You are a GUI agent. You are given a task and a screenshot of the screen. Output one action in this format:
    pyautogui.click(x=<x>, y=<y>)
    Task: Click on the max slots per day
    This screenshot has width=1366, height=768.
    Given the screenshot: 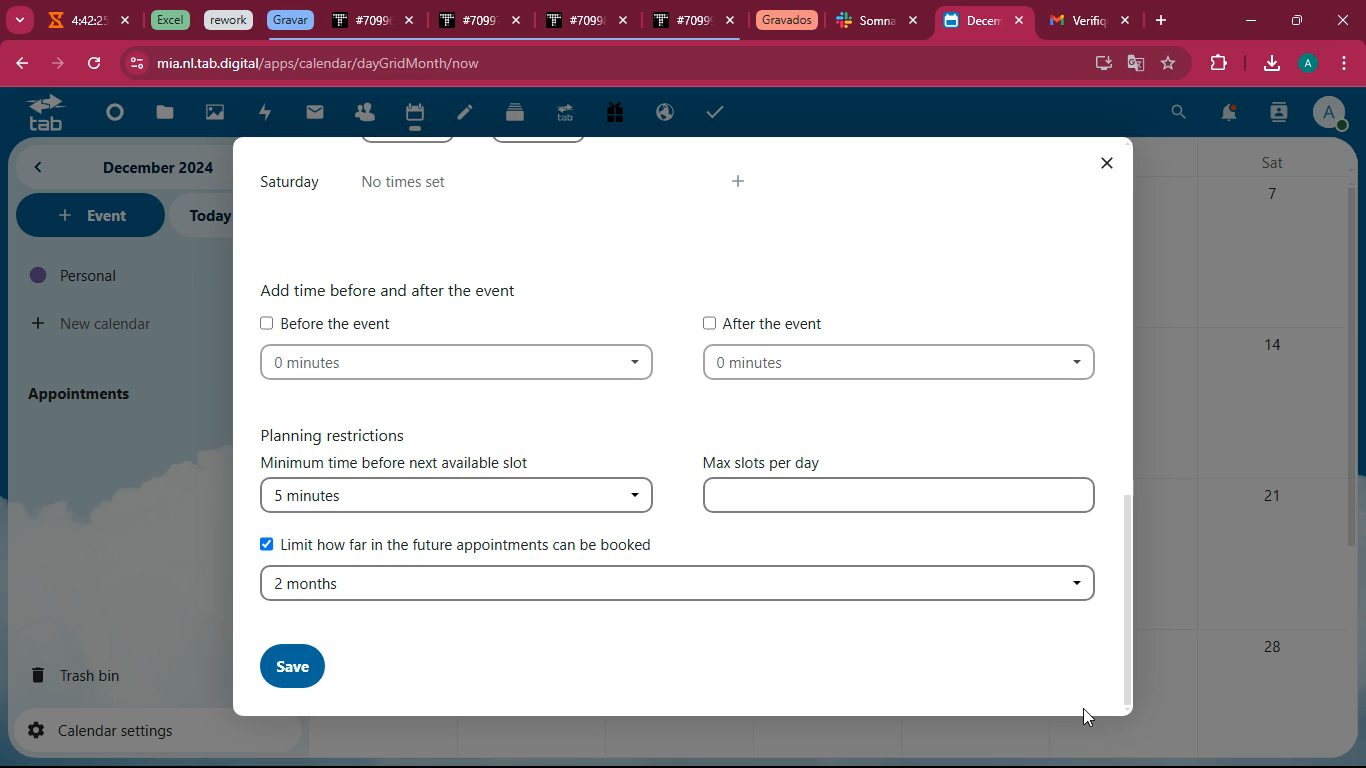 What is the action you would take?
    pyautogui.click(x=768, y=461)
    